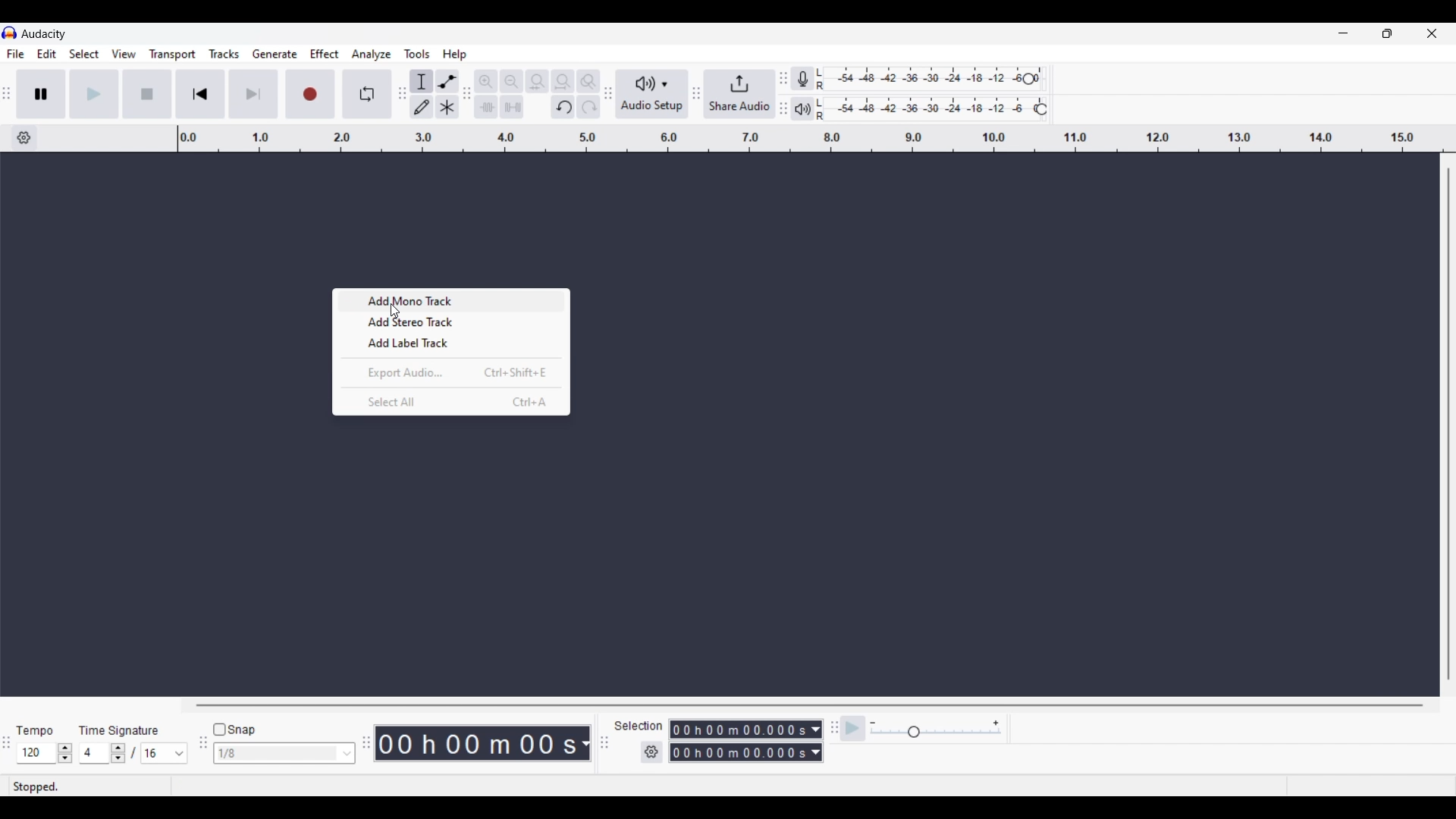 The image size is (1456, 819). Describe the element at coordinates (311, 93) in the screenshot. I see `Record/Record new track` at that location.